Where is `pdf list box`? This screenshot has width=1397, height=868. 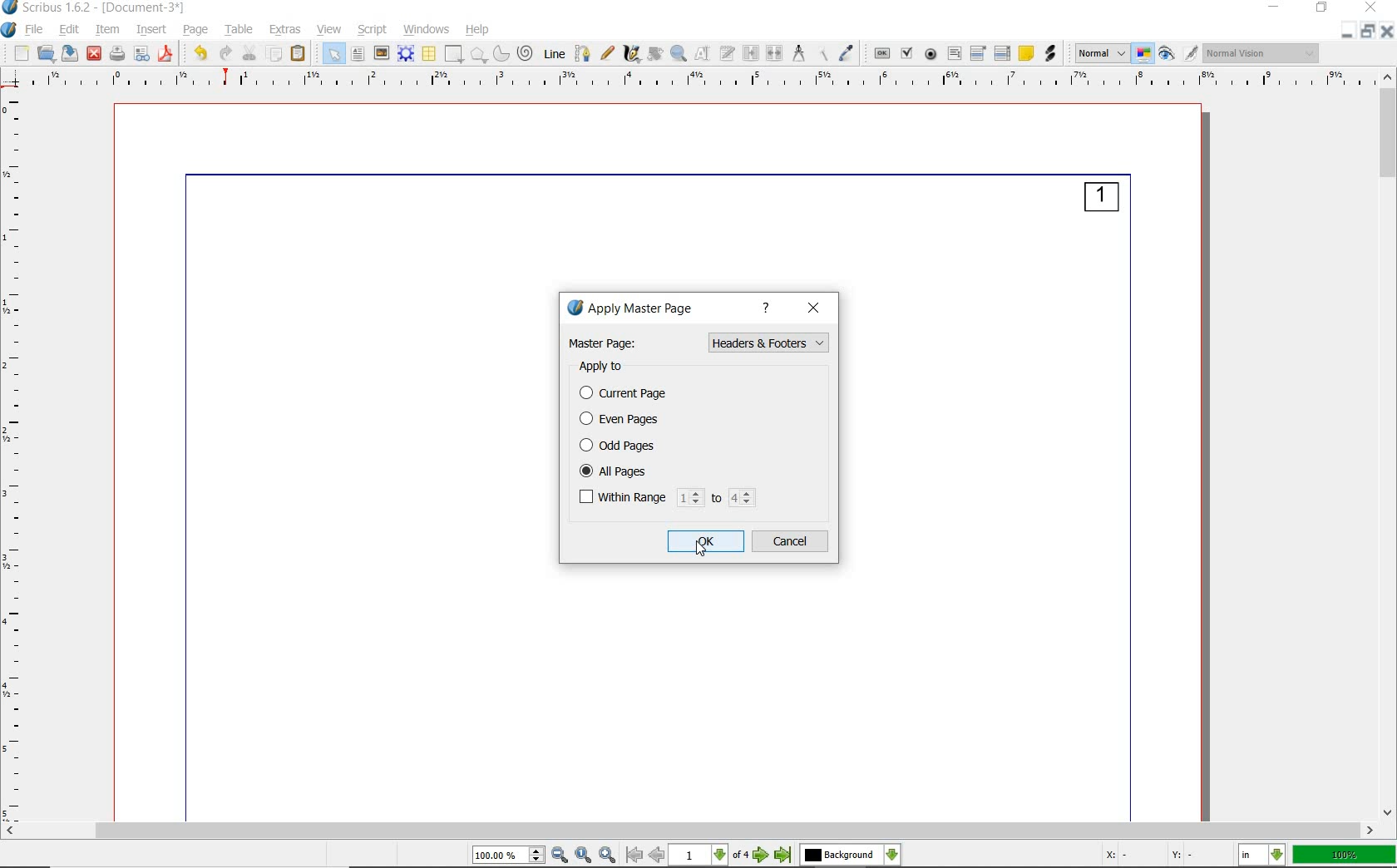
pdf list box is located at coordinates (1004, 53).